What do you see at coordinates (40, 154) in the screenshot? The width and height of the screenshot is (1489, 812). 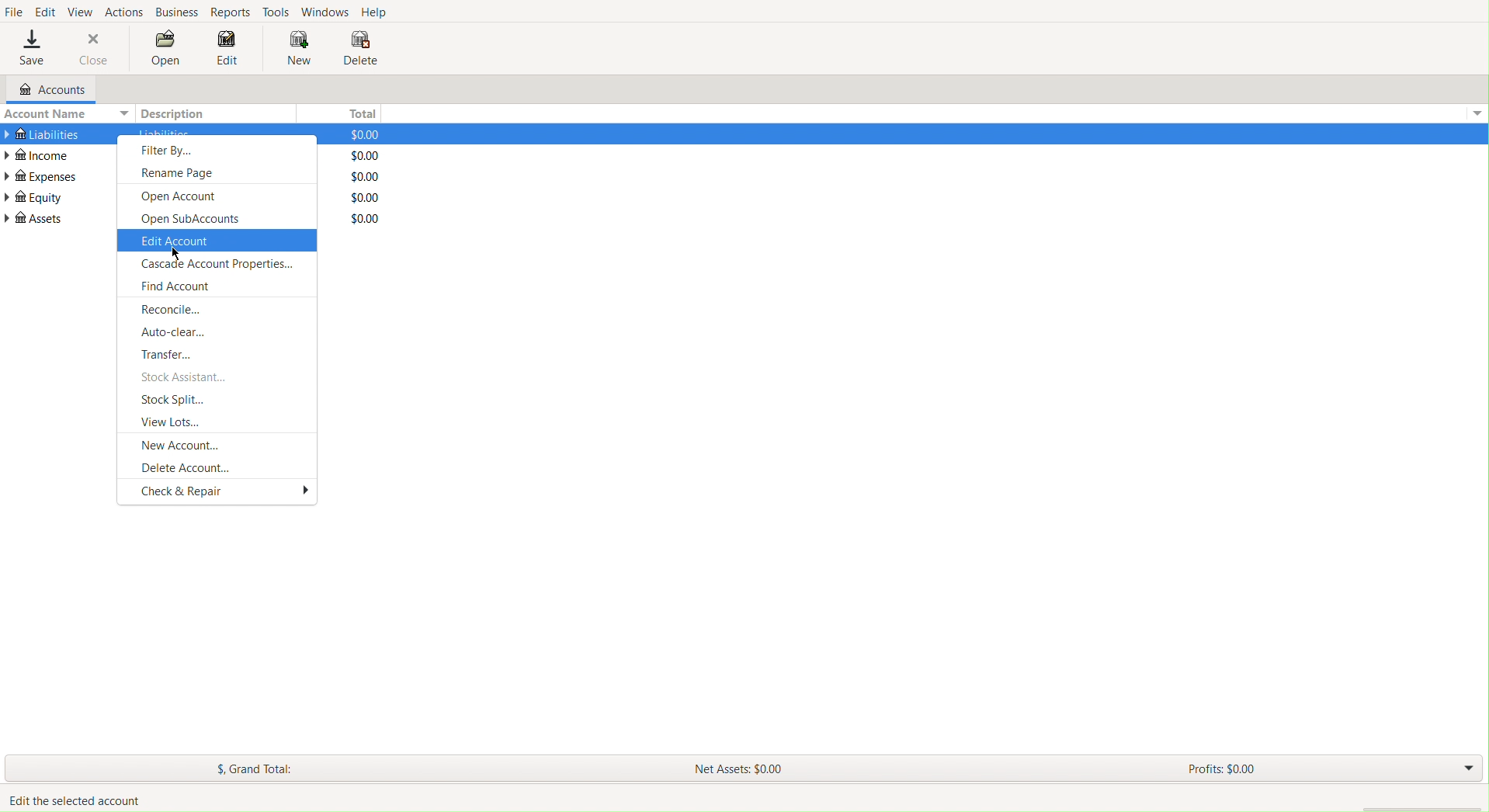 I see `Income` at bounding box center [40, 154].